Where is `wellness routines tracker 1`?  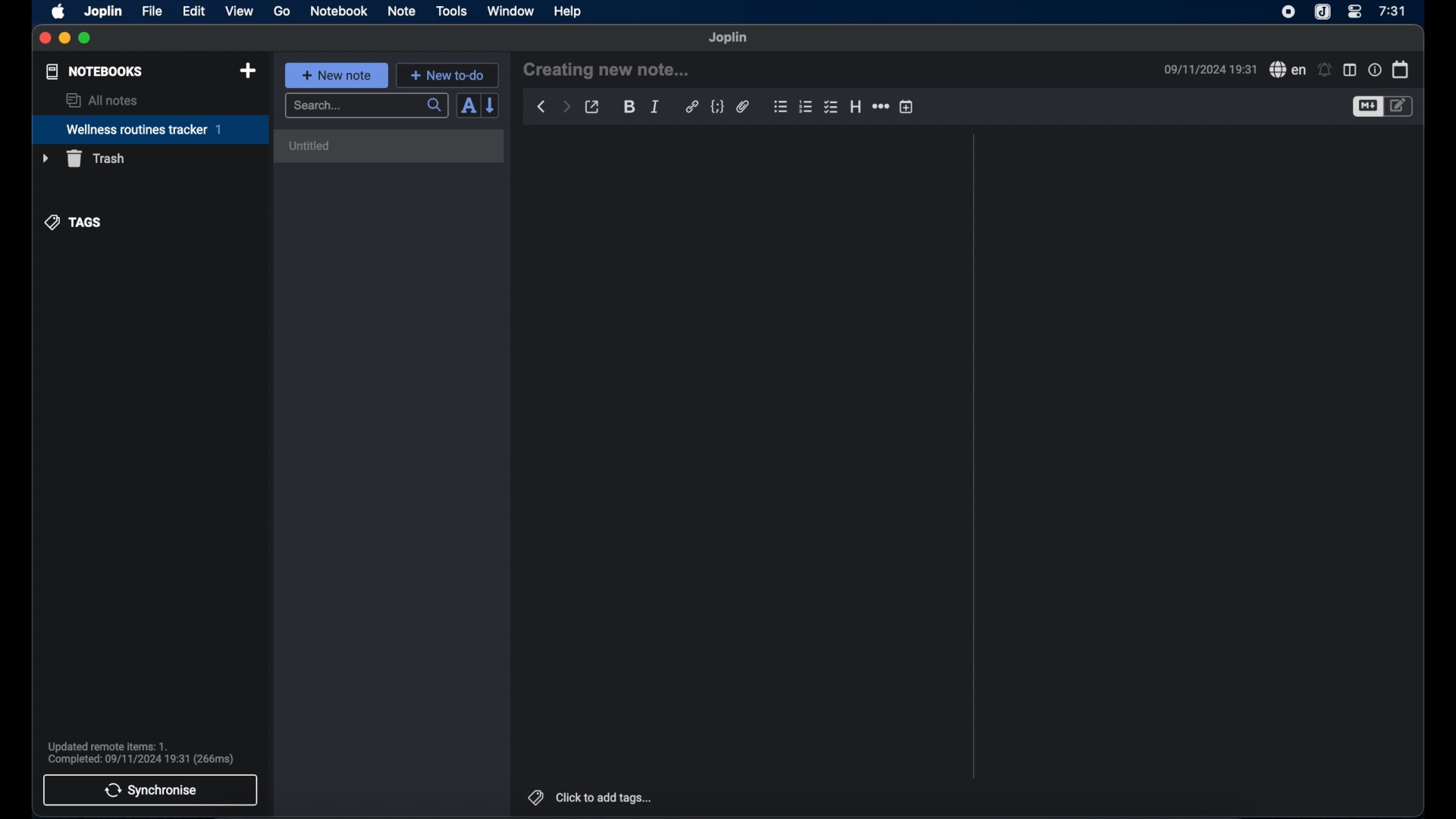 wellness routines tracker 1 is located at coordinates (149, 130).